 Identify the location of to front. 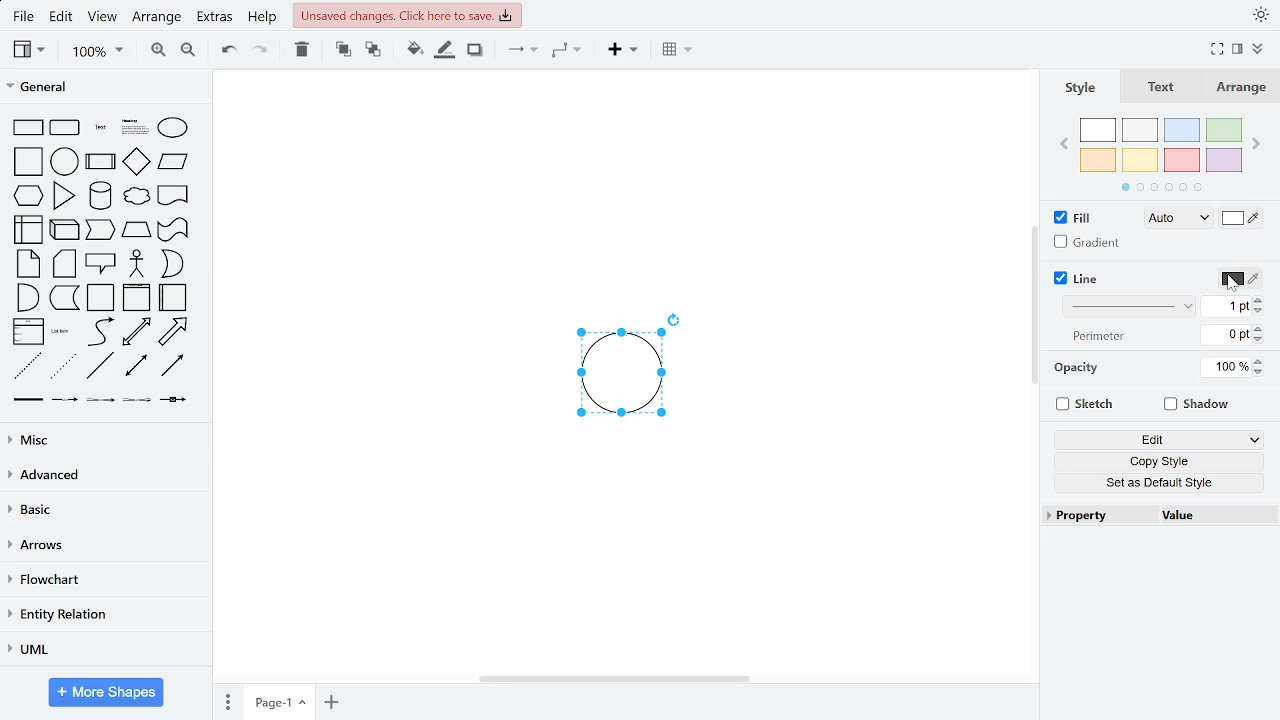
(342, 50).